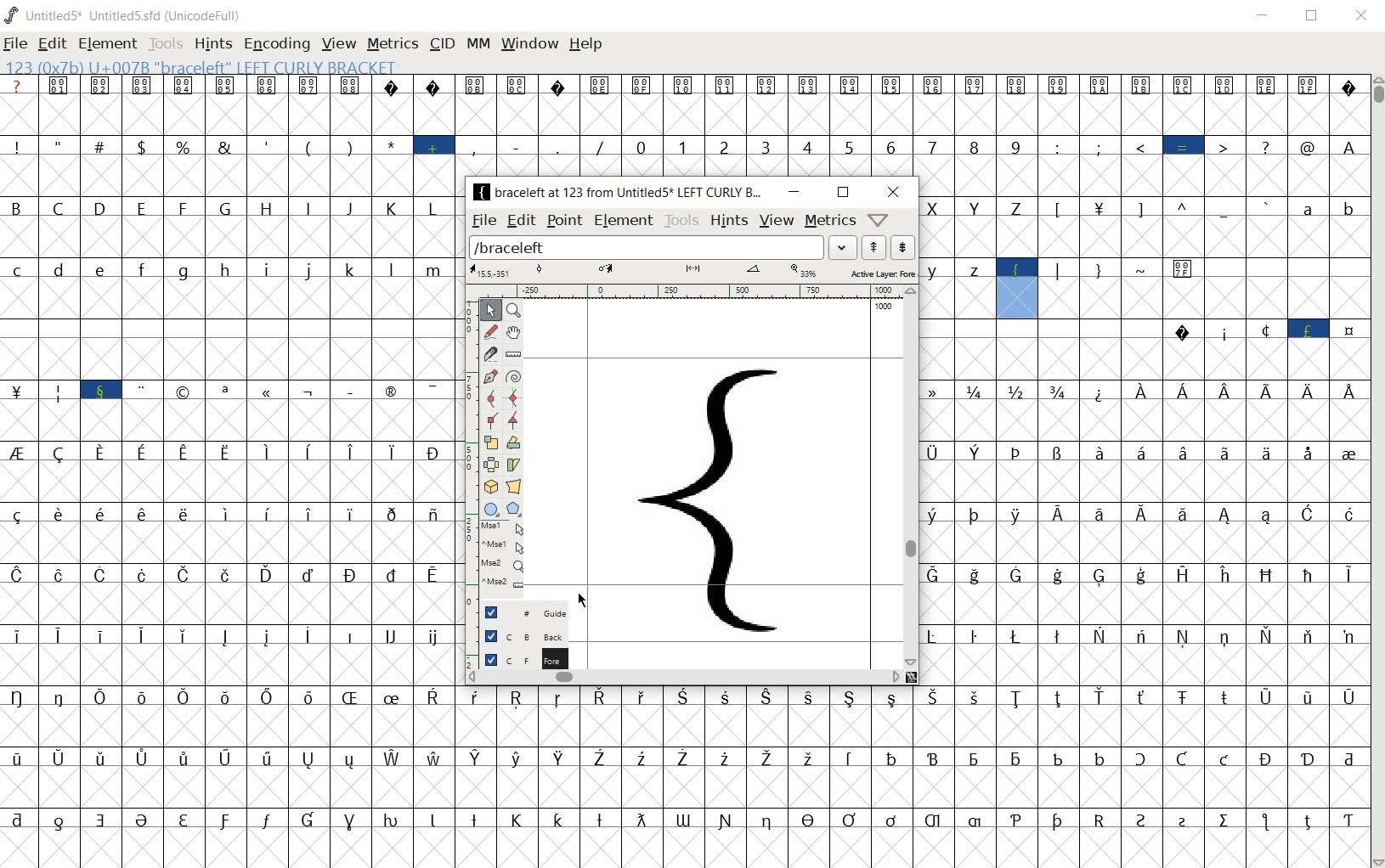 The width and height of the screenshot is (1385, 868). What do you see at coordinates (107, 44) in the screenshot?
I see `element` at bounding box center [107, 44].